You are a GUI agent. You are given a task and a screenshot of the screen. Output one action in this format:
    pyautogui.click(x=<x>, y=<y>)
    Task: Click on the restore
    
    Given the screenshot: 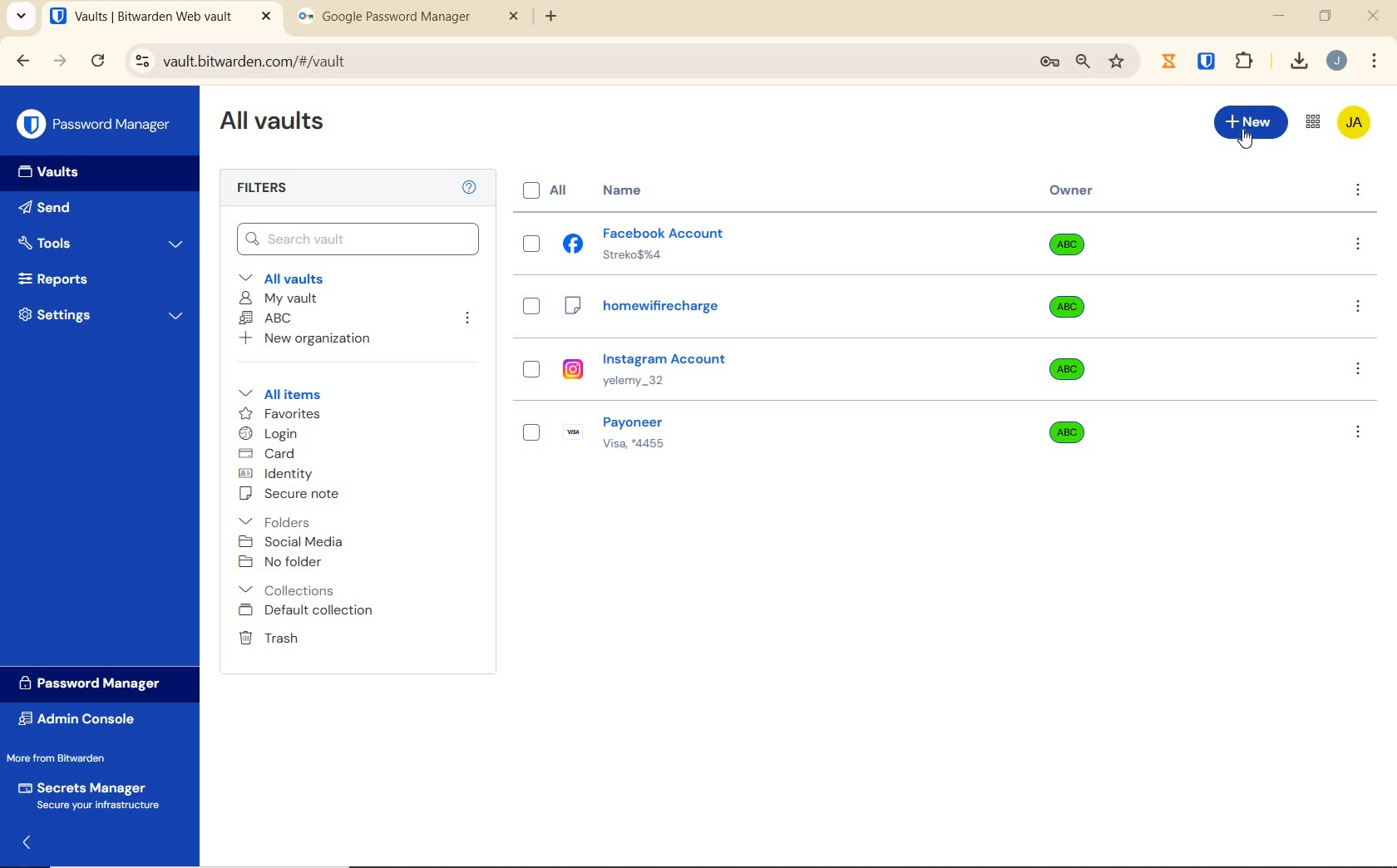 What is the action you would take?
    pyautogui.click(x=1324, y=16)
    